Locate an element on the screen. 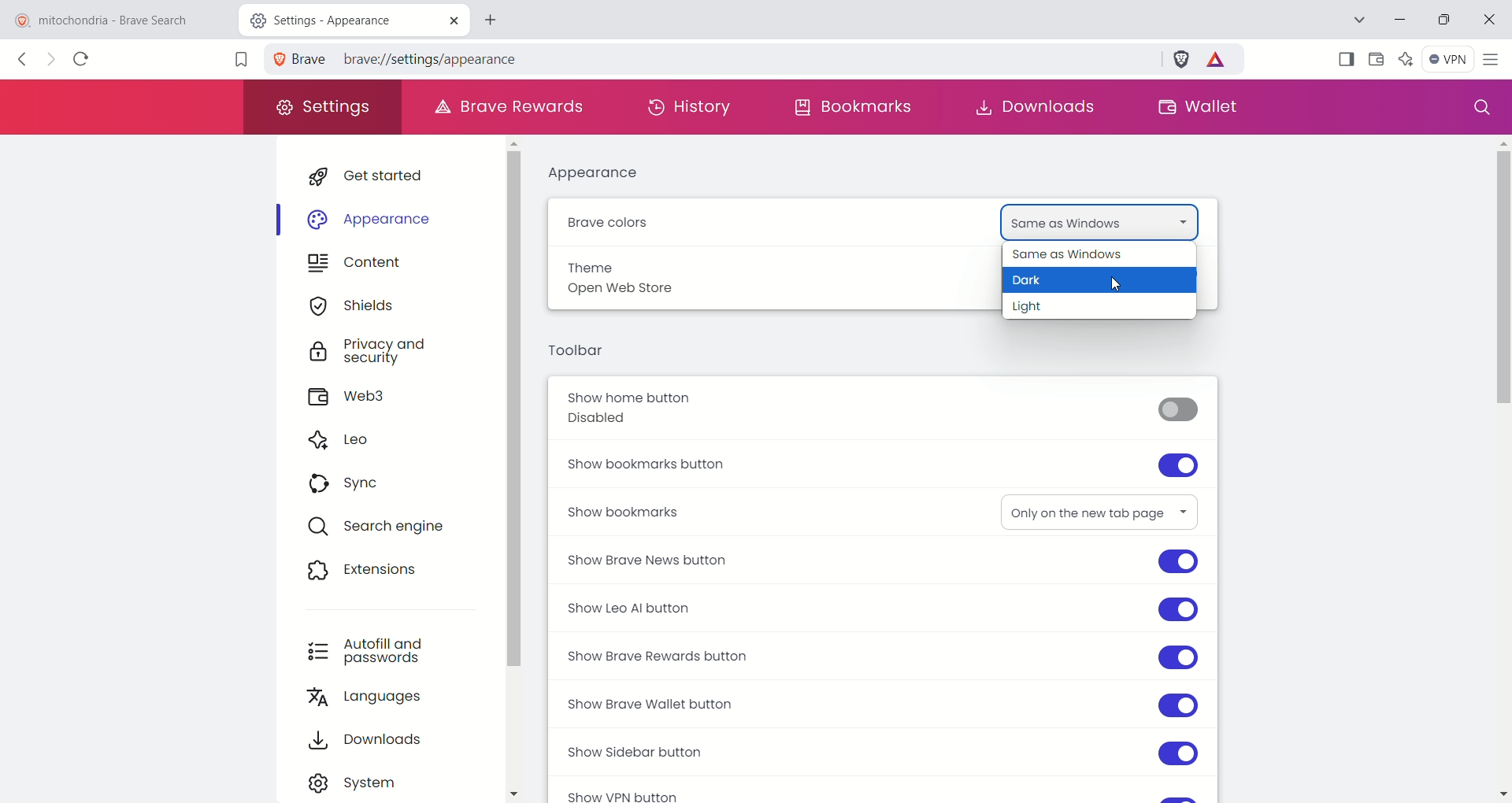 The height and width of the screenshot is (803, 1512). show home button is located at coordinates (884, 413).